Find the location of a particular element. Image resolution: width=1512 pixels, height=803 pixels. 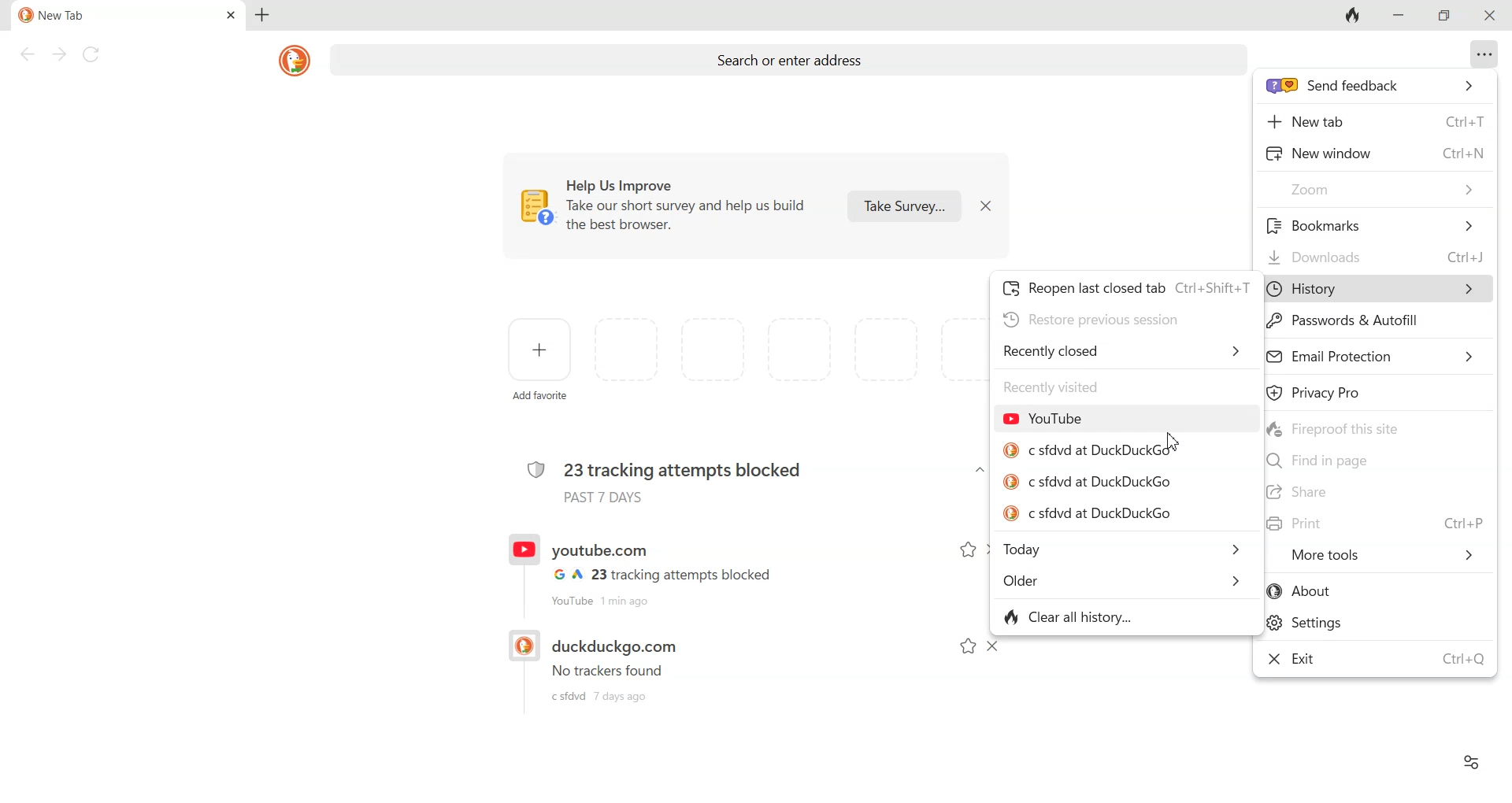

Dismiss  is located at coordinates (992, 646).